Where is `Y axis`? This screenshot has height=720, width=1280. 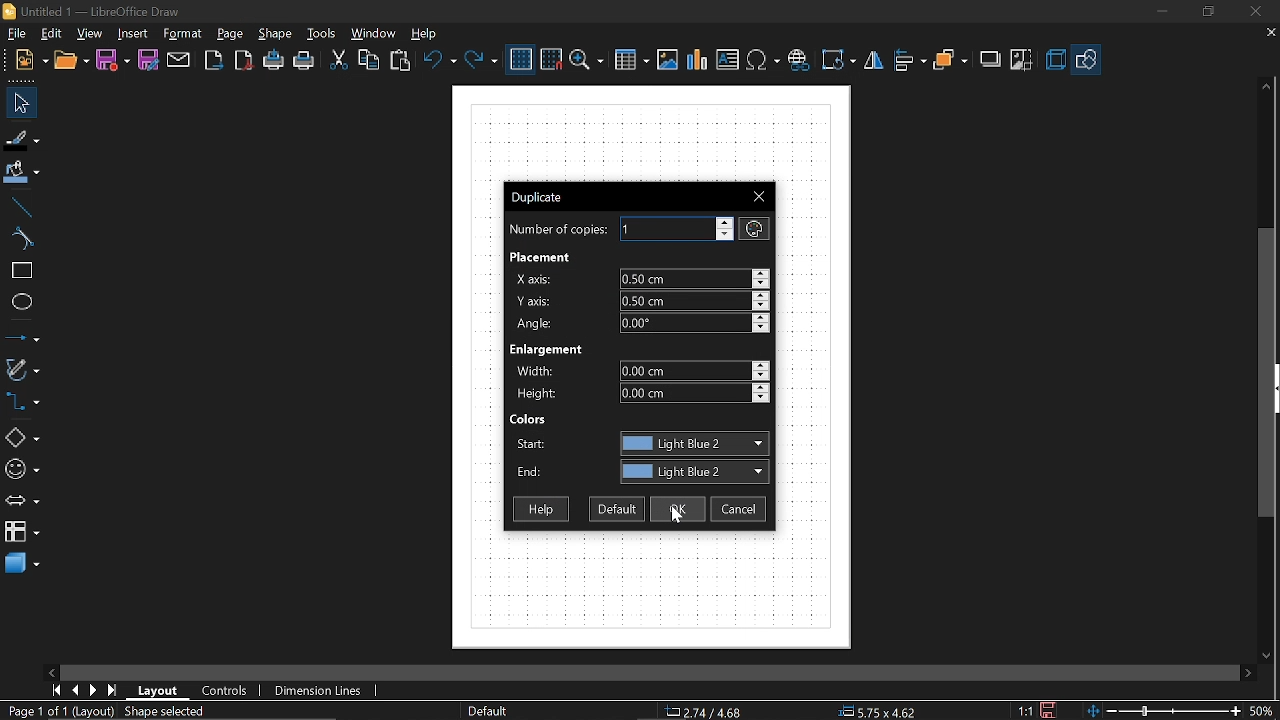
Y axis is located at coordinates (536, 301).